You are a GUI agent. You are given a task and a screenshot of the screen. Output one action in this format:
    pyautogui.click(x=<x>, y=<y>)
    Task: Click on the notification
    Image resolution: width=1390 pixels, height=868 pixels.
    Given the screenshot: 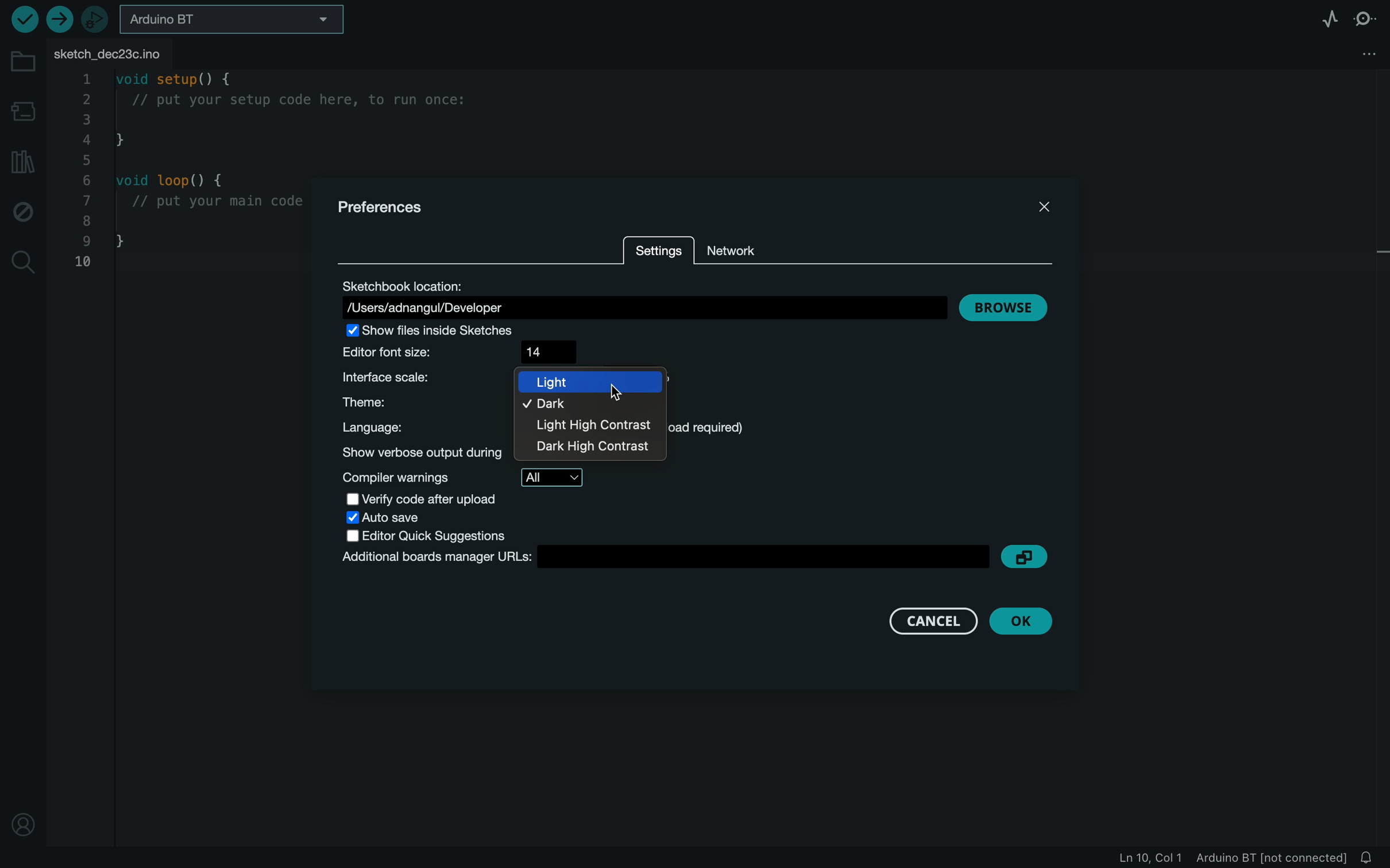 What is the action you would take?
    pyautogui.click(x=1368, y=858)
    